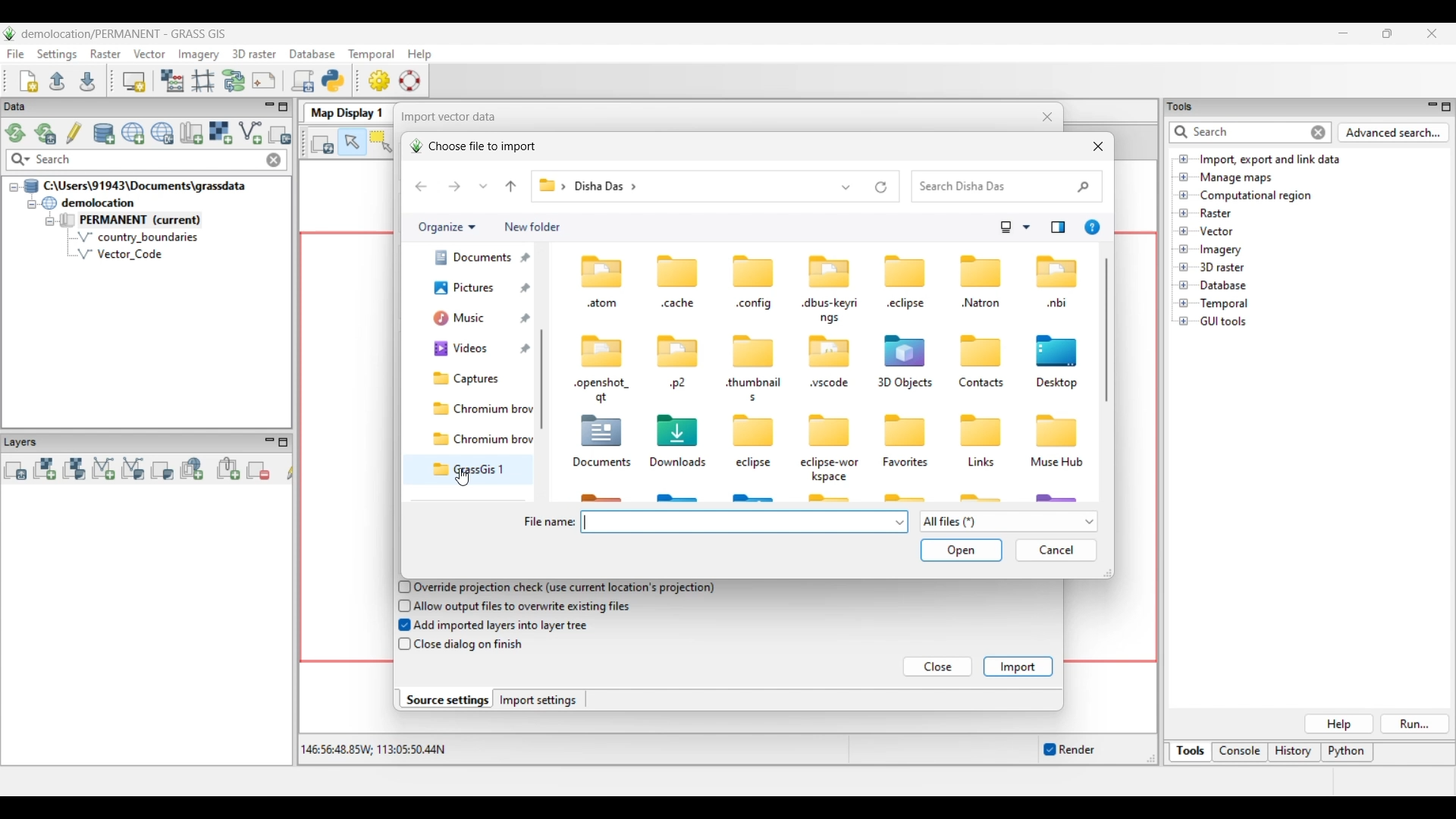  What do you see at coordinates (908, 350) in the screenshot?
I see `icon` at bounding box center [908, 350].